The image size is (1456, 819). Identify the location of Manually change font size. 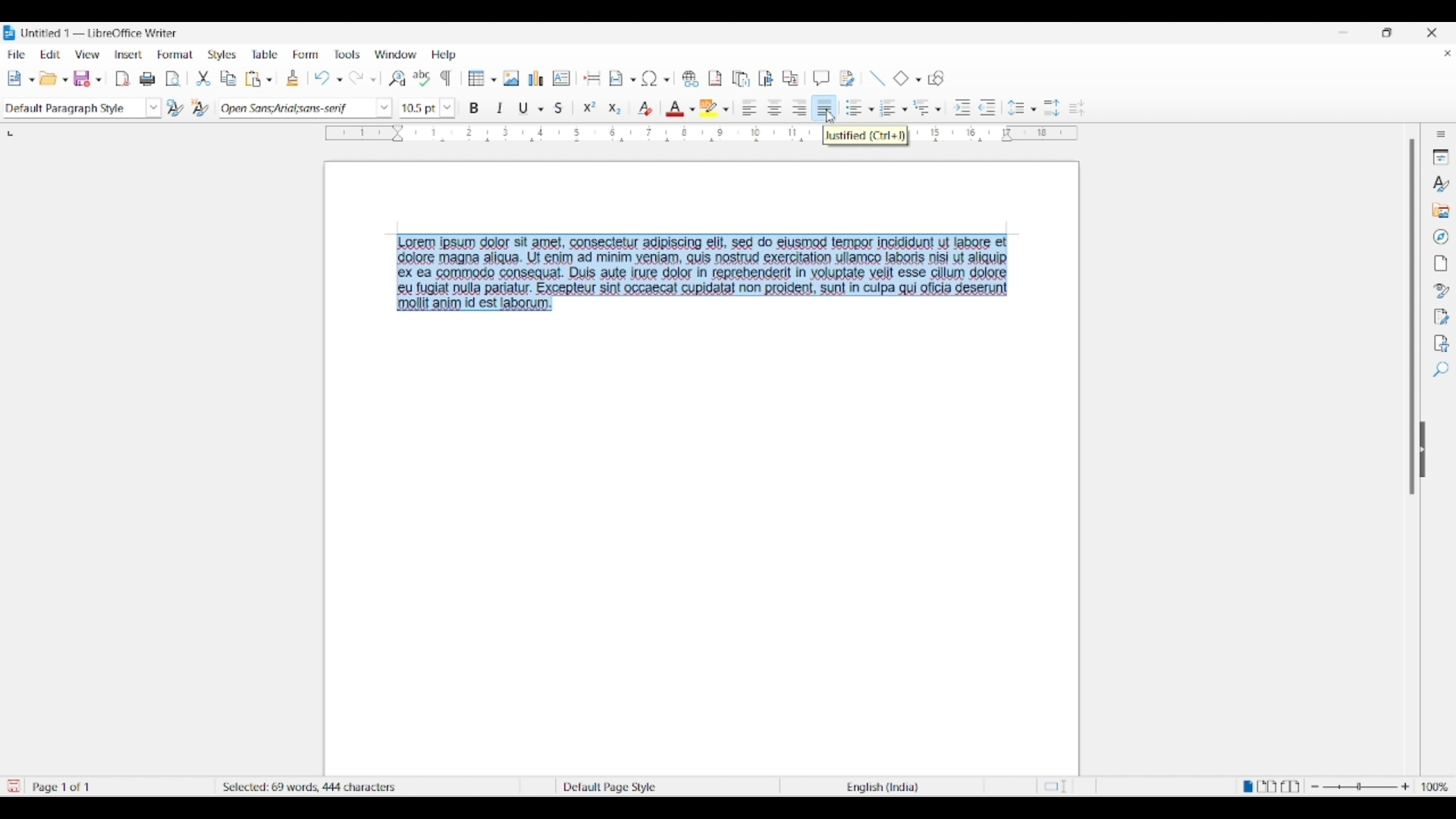
(419, 108).